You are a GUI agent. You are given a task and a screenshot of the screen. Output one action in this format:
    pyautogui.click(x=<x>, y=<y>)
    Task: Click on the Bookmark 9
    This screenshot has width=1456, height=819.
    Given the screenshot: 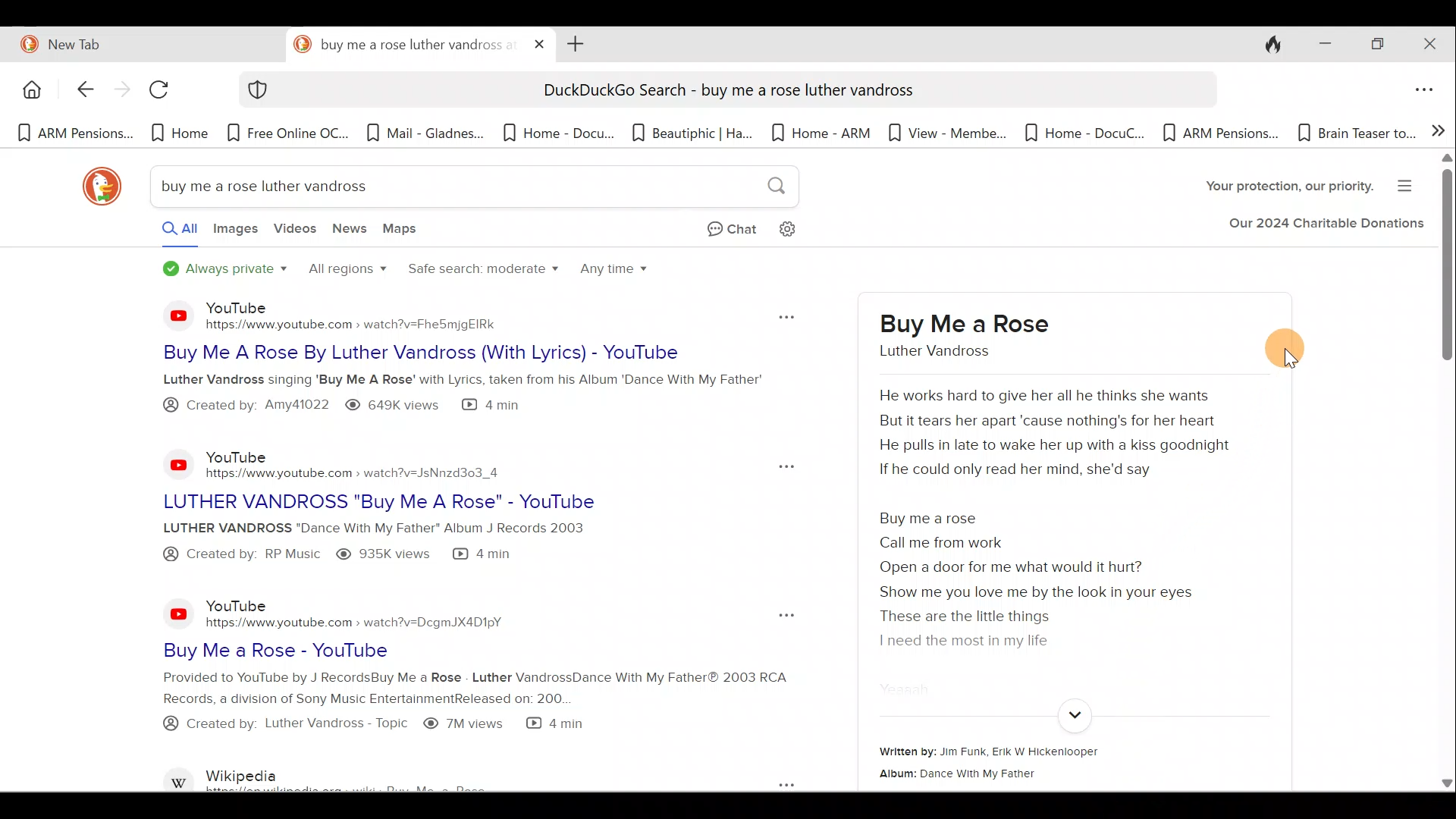 What is the action you would take?
    pyautogui.click(x=1077, y=133)
    